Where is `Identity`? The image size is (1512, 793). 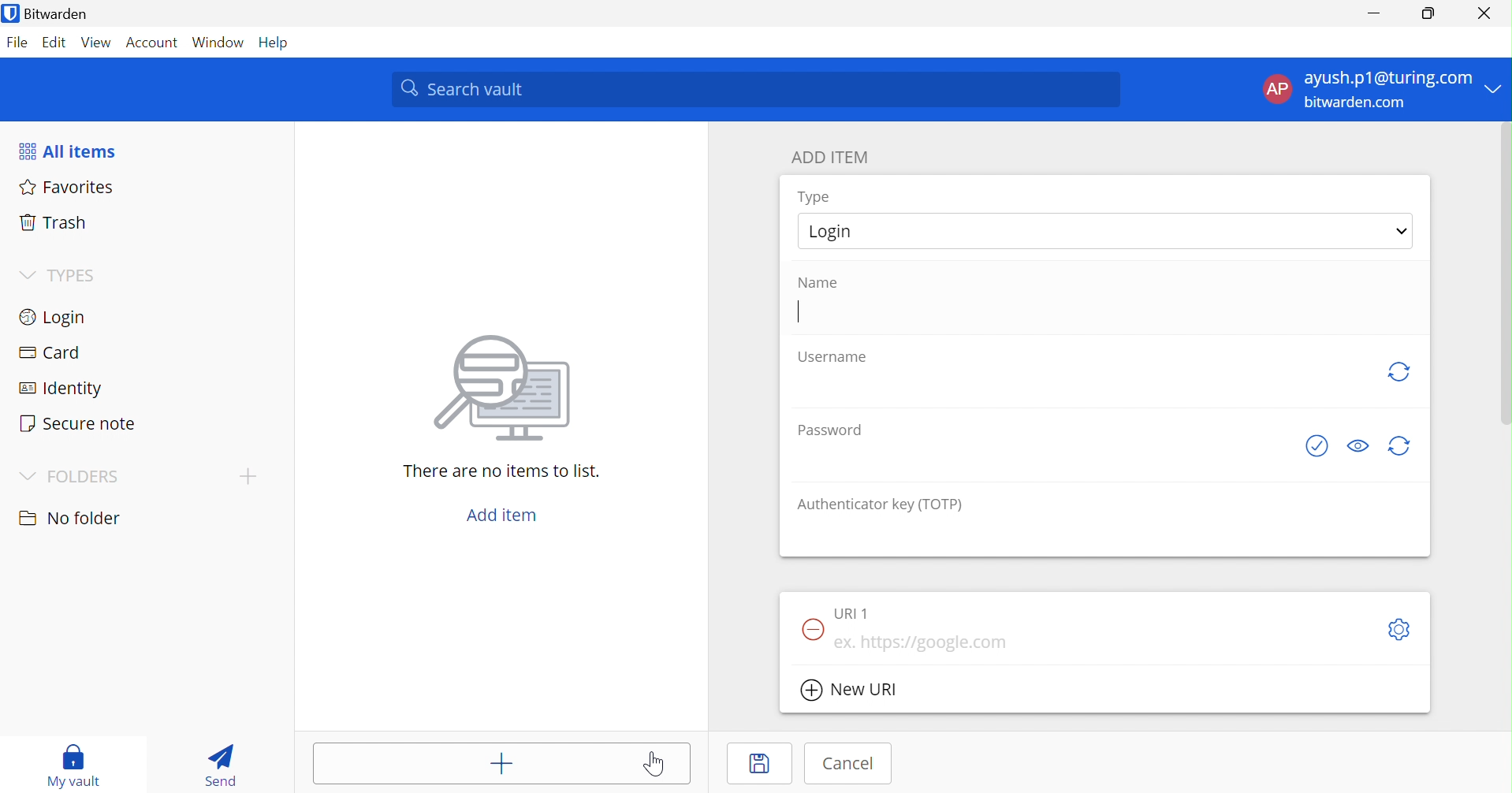
Identity is located at coordinates (57, 387).